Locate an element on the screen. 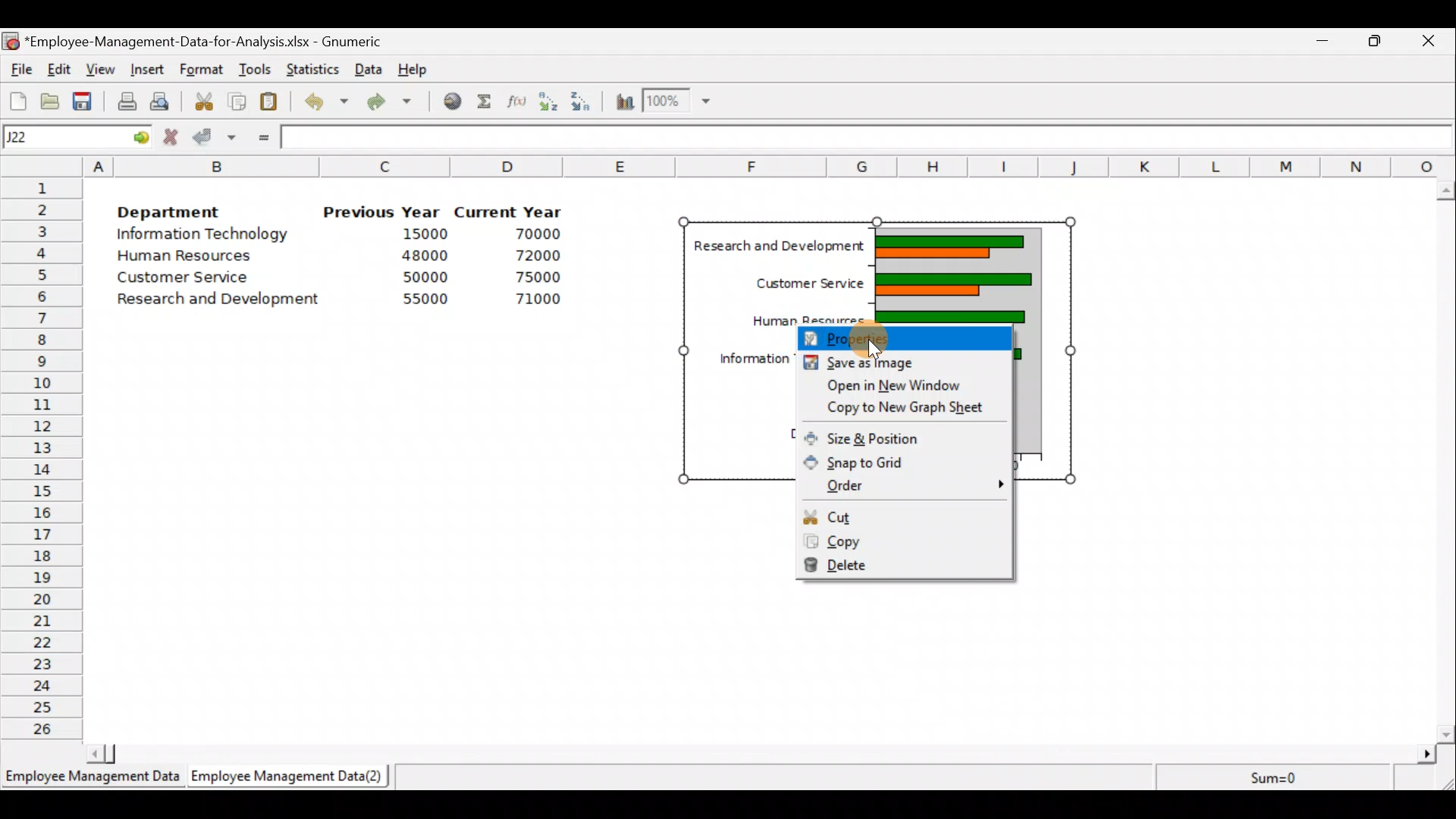  Zoom is located at coordinates (675, 102).